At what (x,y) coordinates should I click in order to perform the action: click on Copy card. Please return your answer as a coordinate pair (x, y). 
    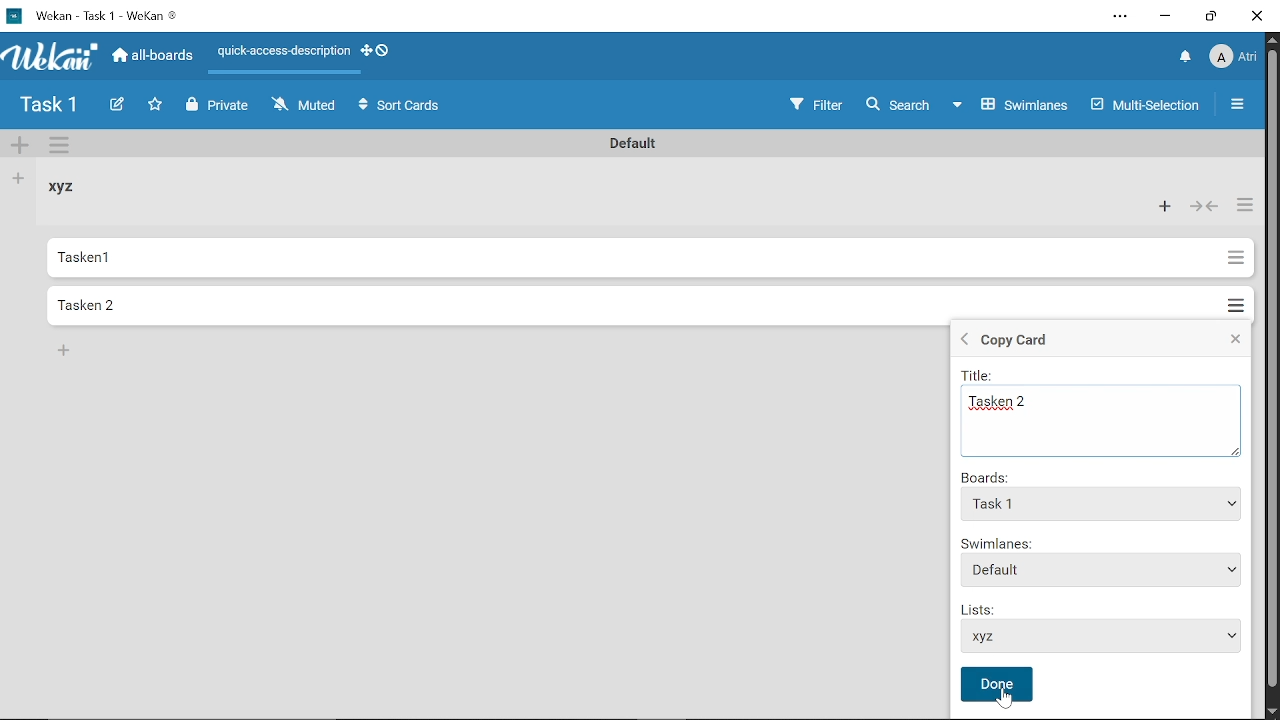
    Looking at the image, I should click on (1067, 341).